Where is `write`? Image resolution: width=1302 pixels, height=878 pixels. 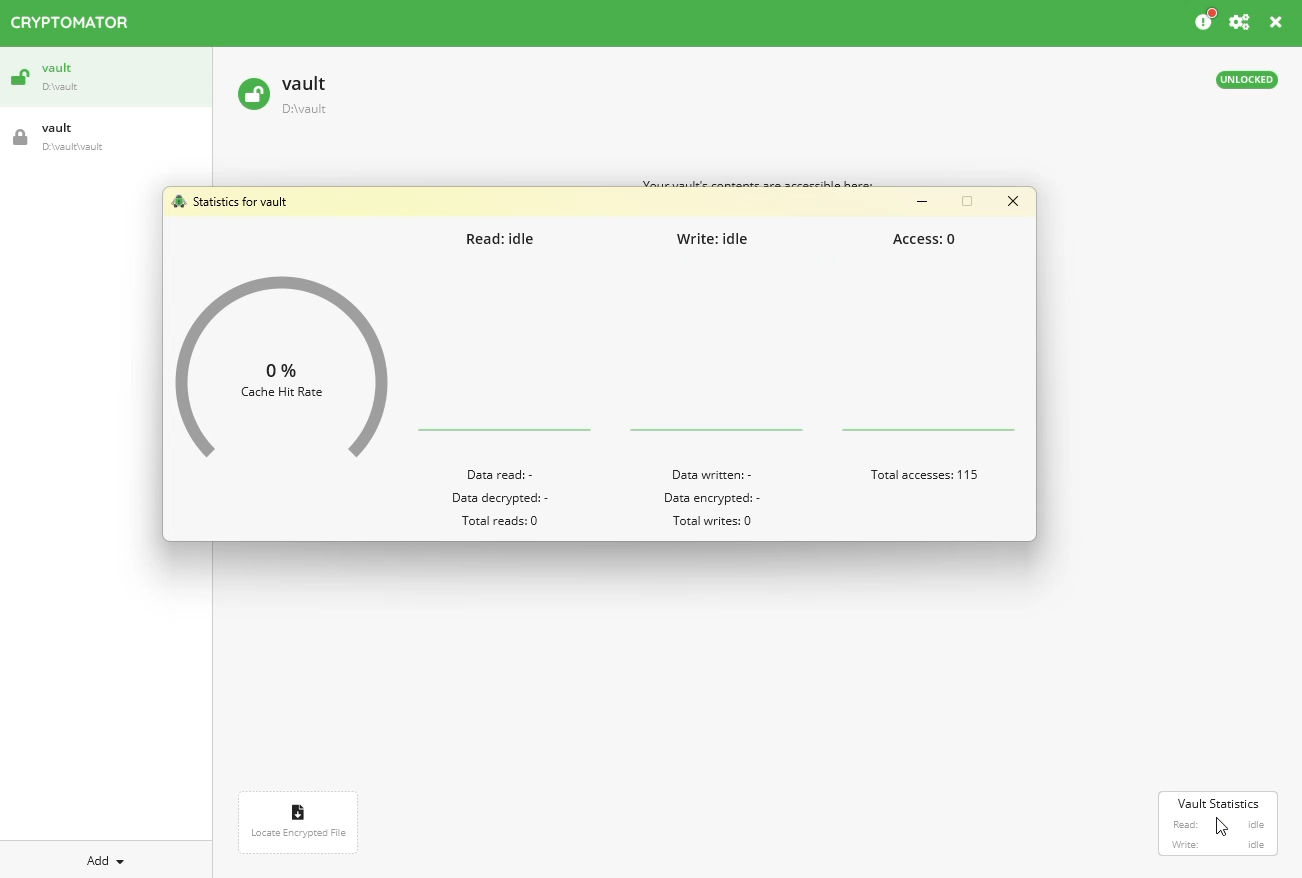
write is located at coordinates (714, 238).